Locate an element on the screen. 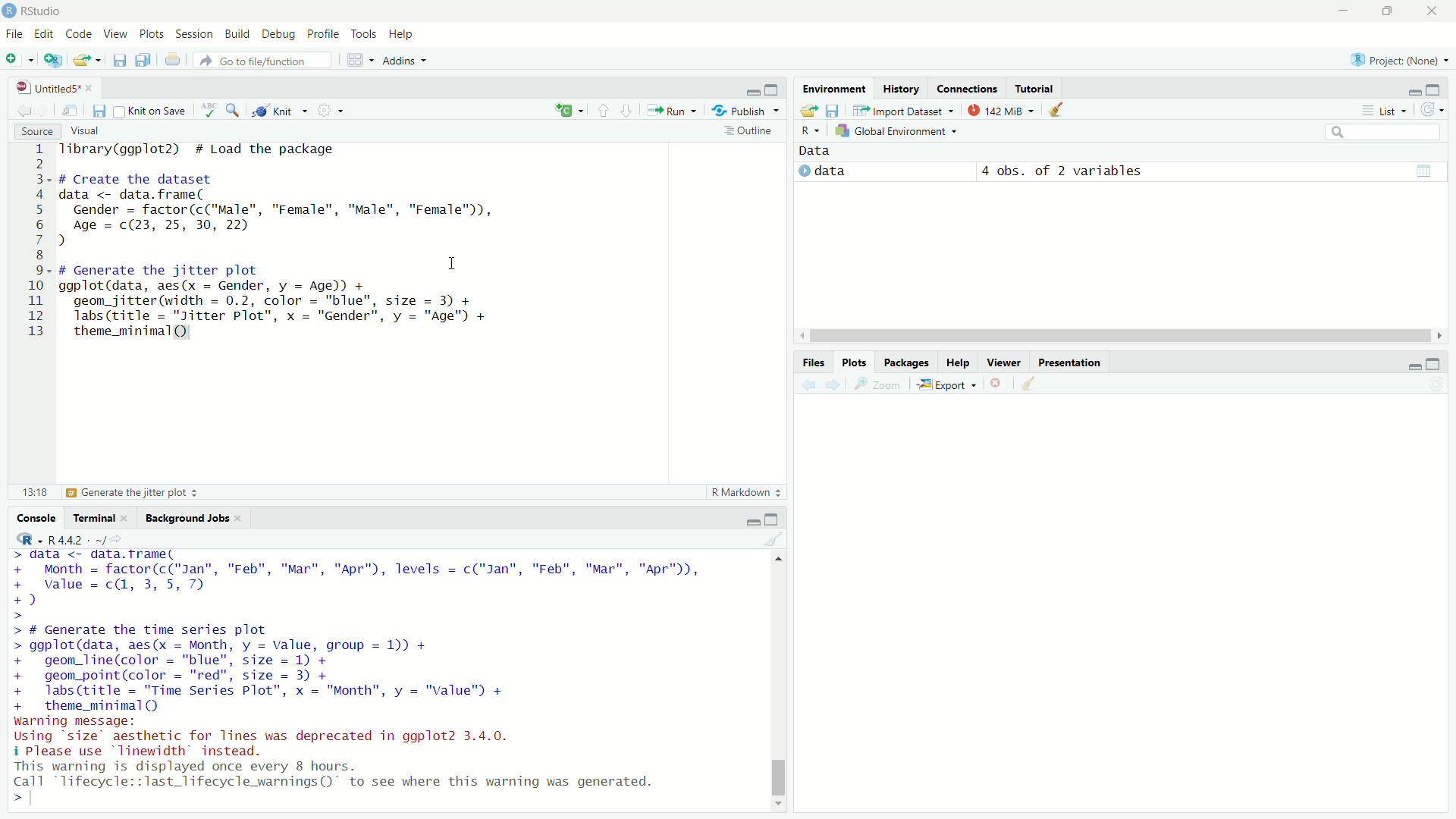 The width and height of the screenshot is (1456, 819). cursor is located at coordinates (453, 264).